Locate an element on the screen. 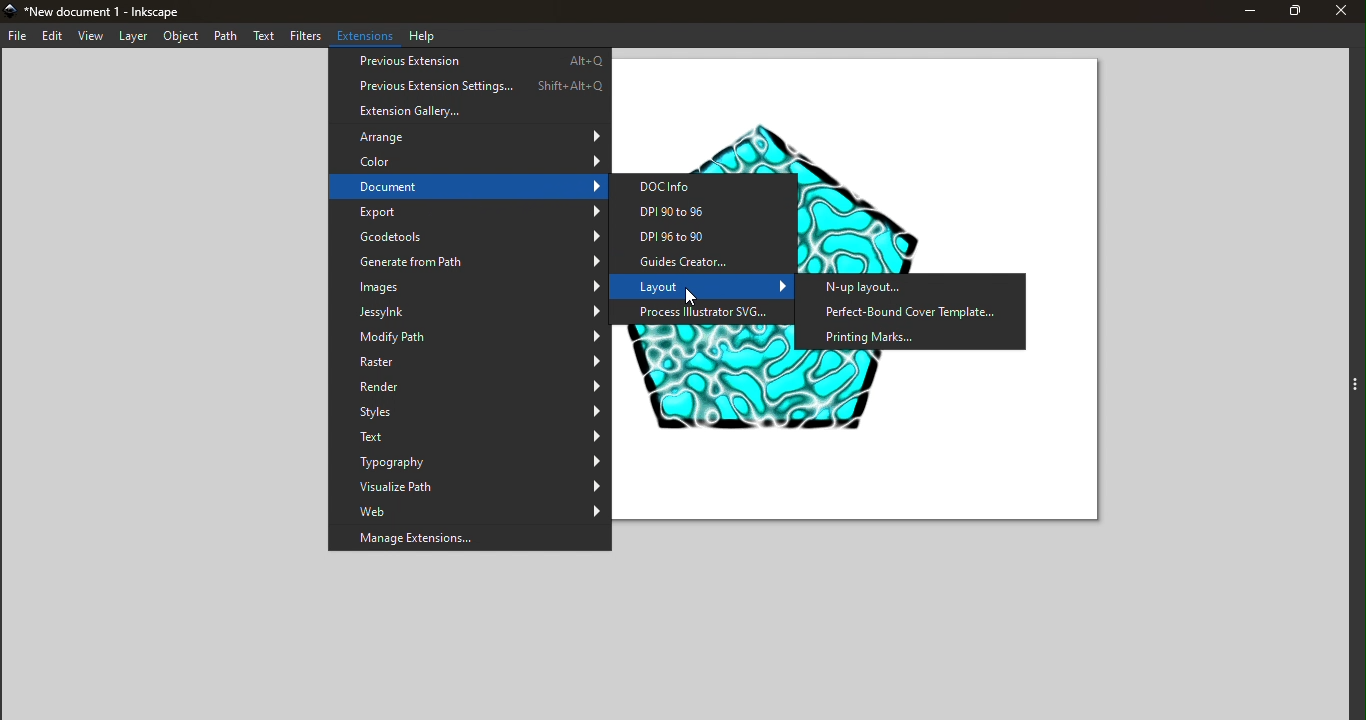 This screenshot has height=720, width=1366. Maximize is located at coordinates (1286, 11).